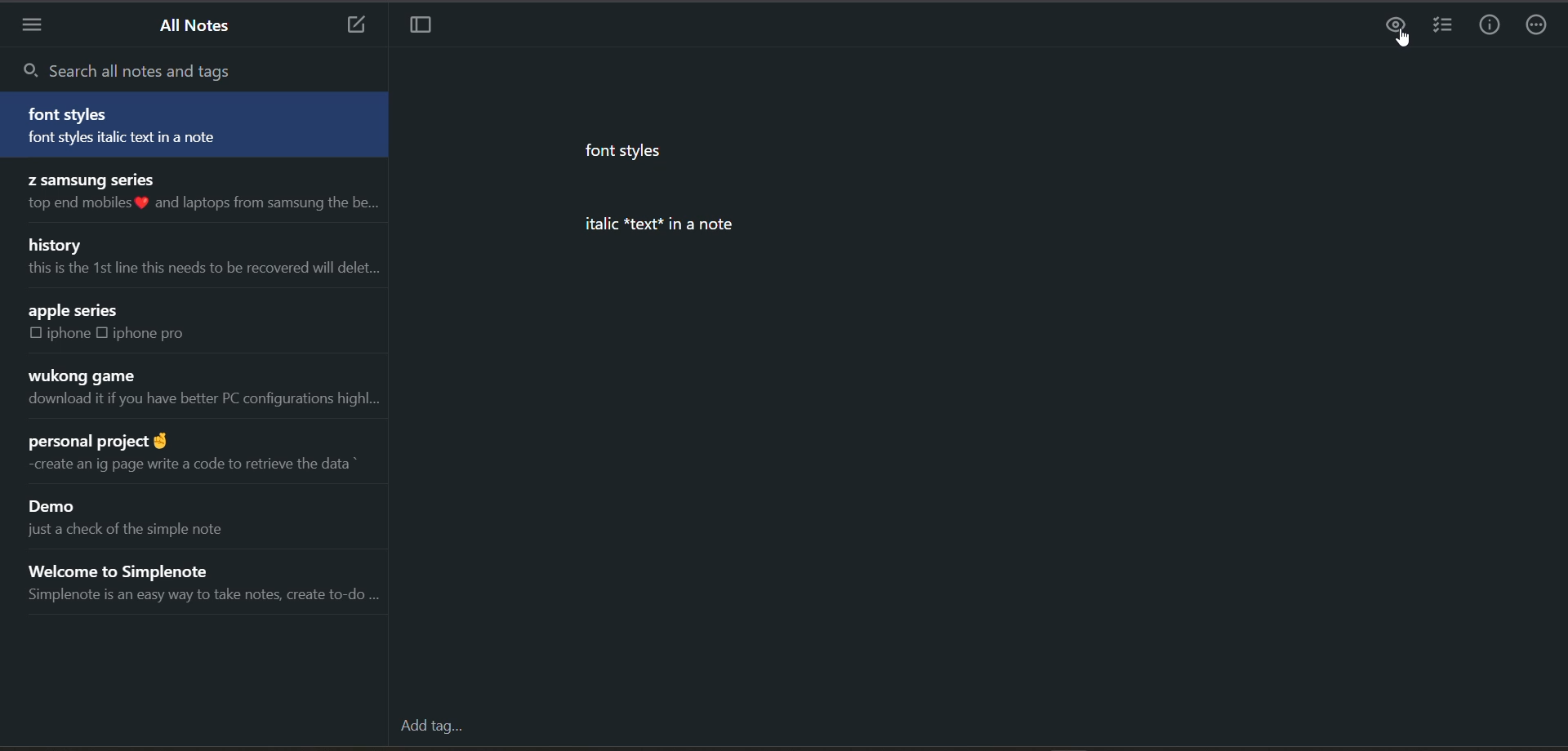  What do you see at coordinates (210, 583) in the screenshot?
I see `note title and preview` at bounding box center [210, 583].